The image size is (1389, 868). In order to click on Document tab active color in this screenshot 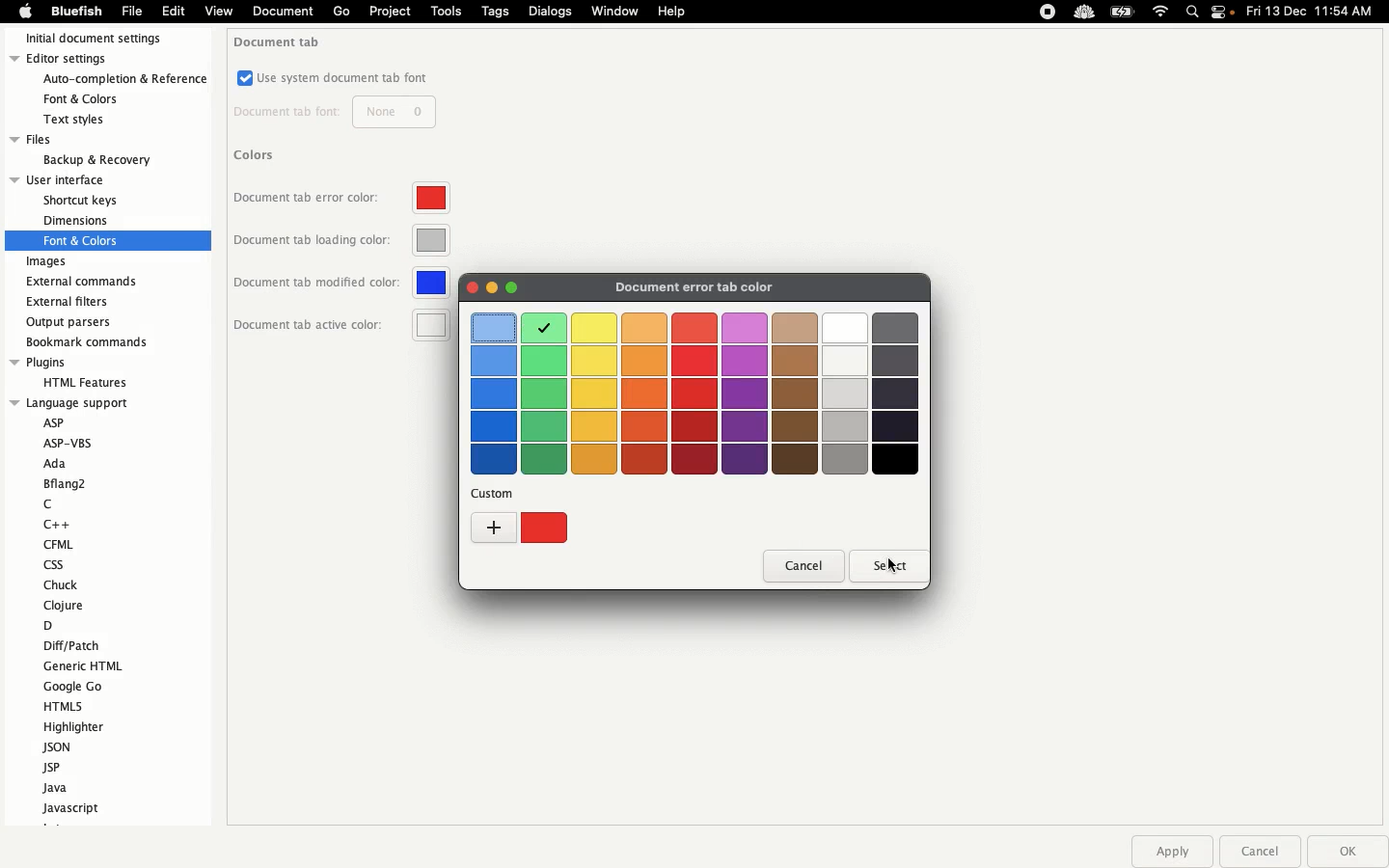, I will do `click(342, 325)`.